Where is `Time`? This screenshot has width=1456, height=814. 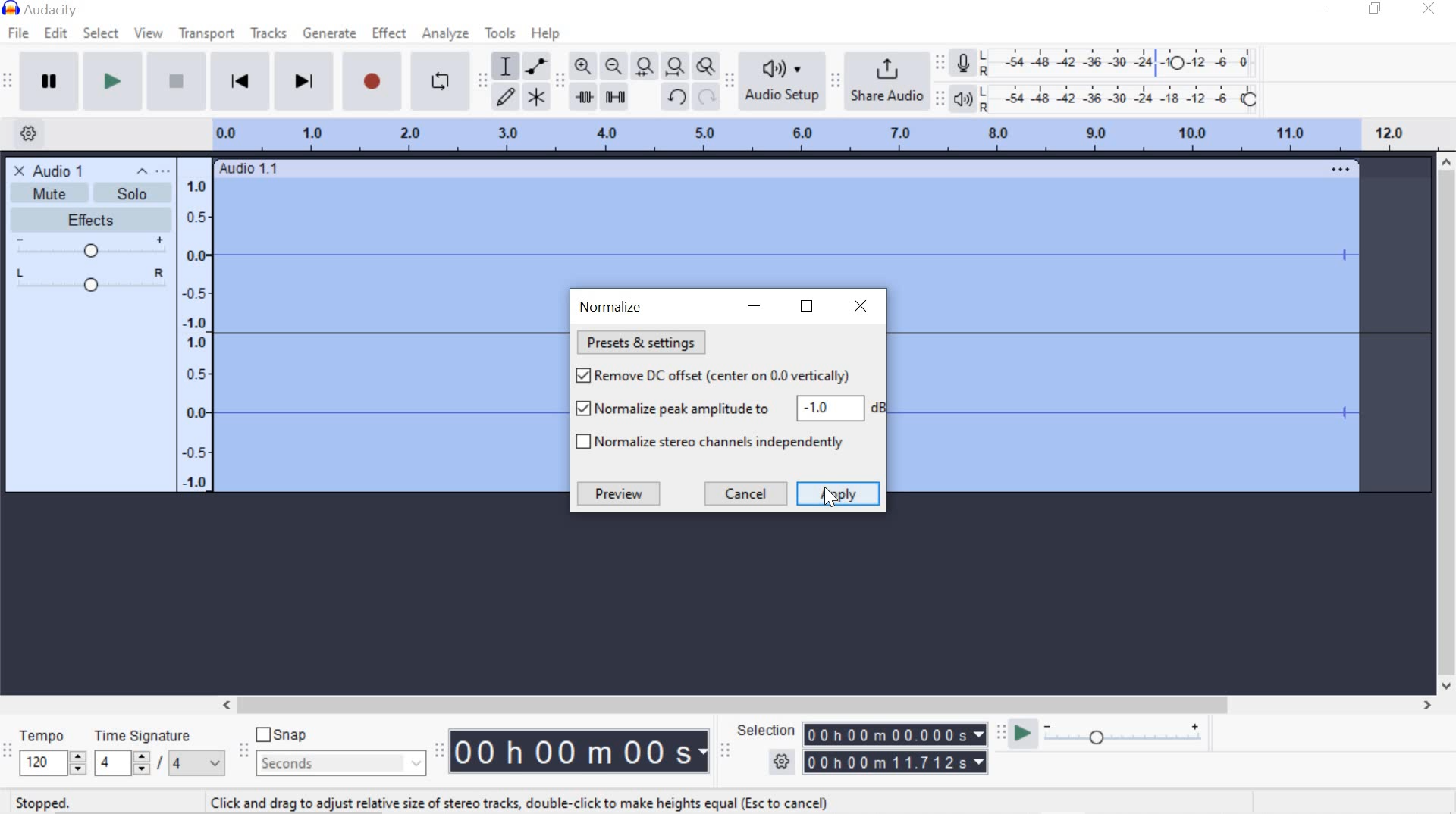 Time is located at coordinates (581, 753).